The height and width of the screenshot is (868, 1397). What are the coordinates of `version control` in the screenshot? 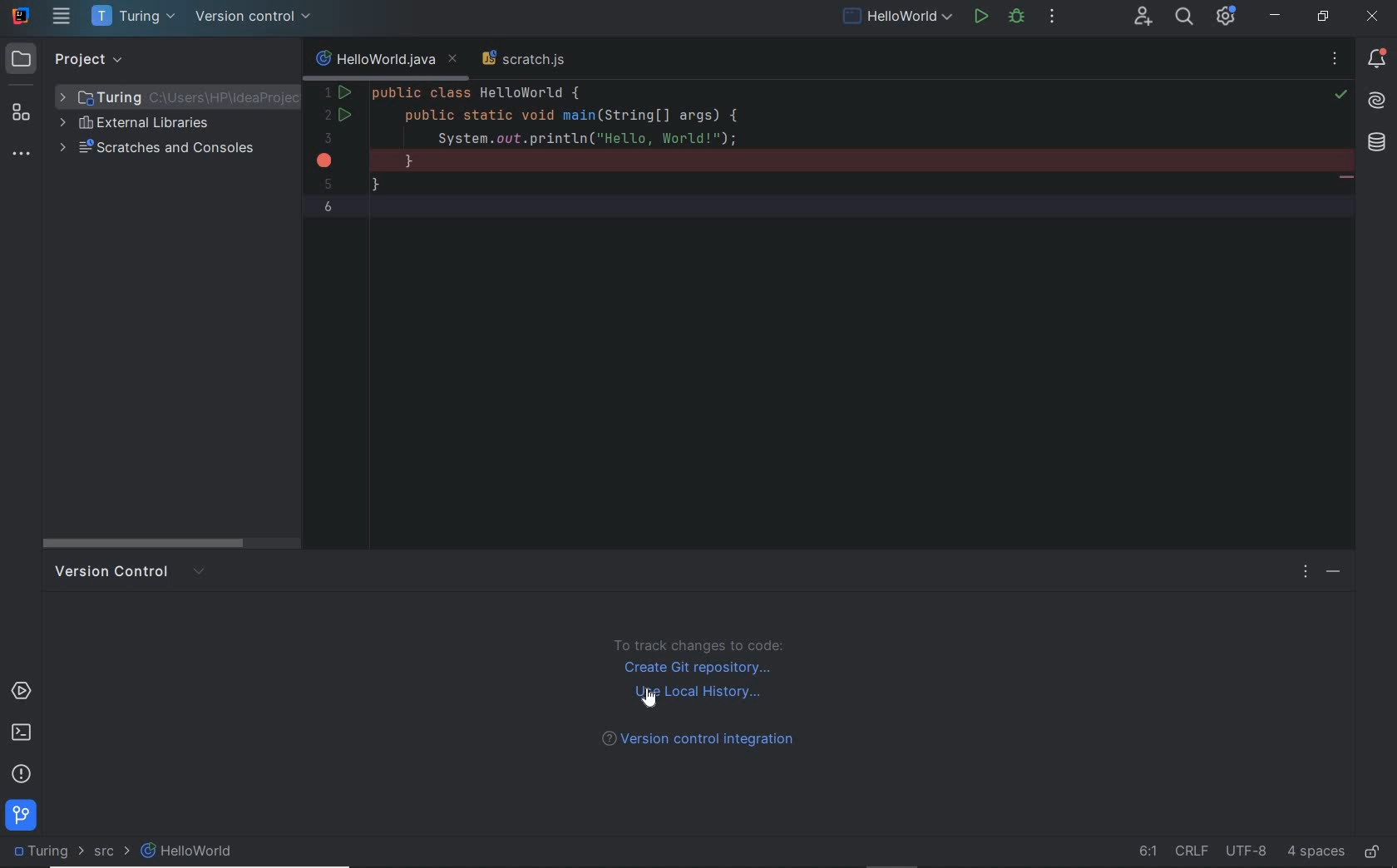 It's located at (157, 573).